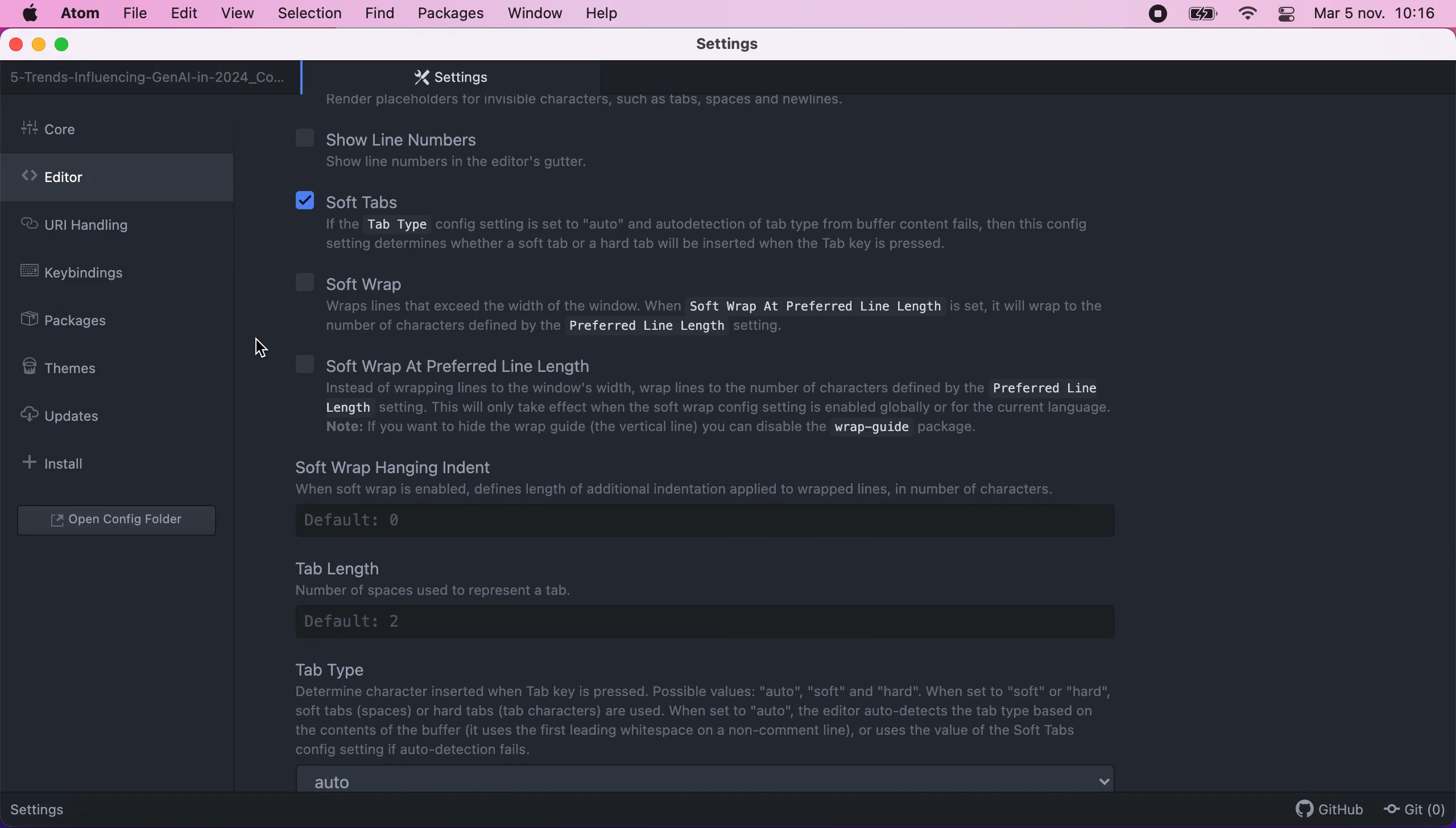 Image resolution: width=1456 pixels, height=828 pixels. What do you see at coordinates (71, 415) in the screenshot?
I see `updates` at bounding box center [71, 415].